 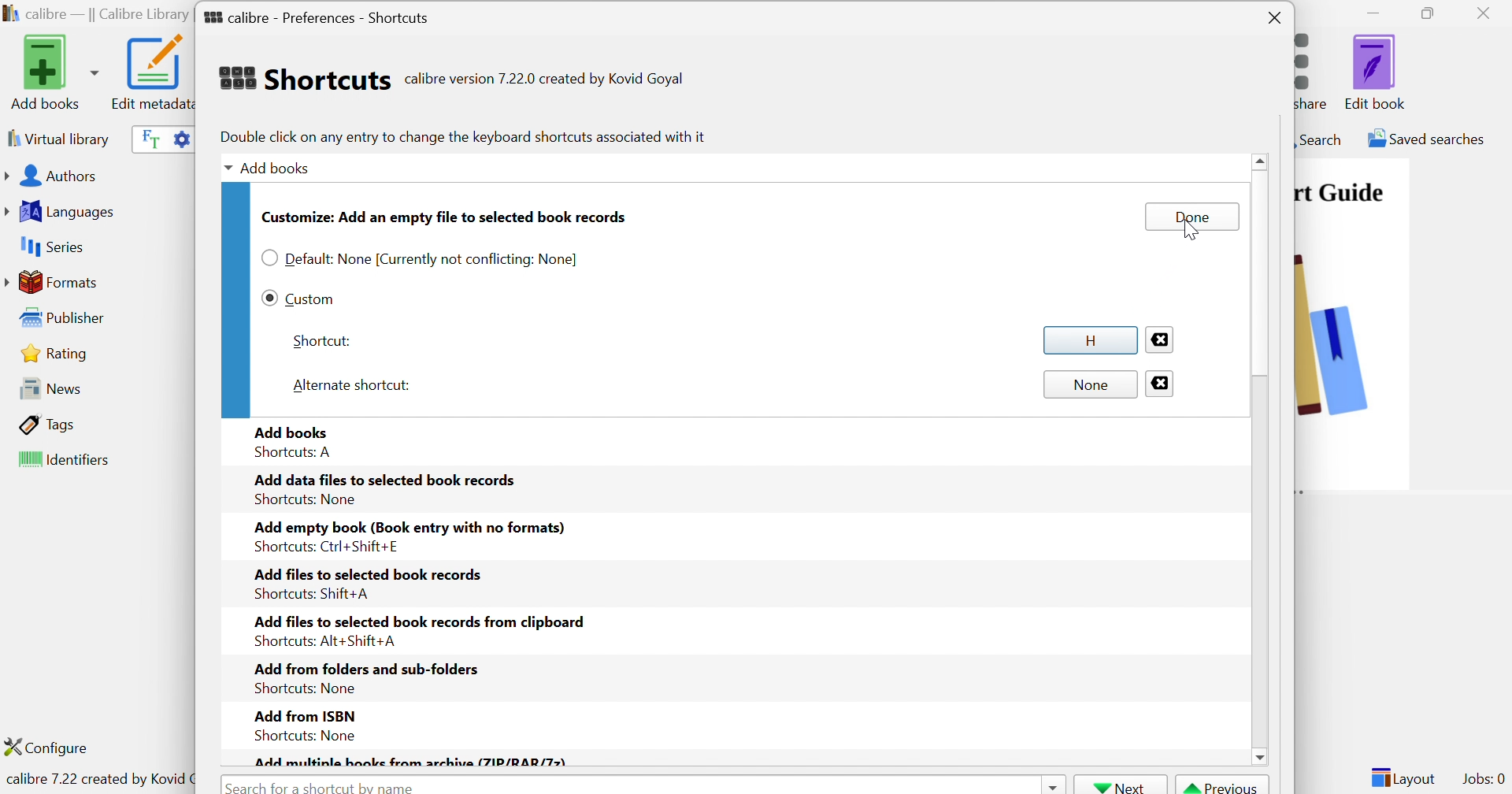 I want to click on Add books, so click(x=279, y=166).